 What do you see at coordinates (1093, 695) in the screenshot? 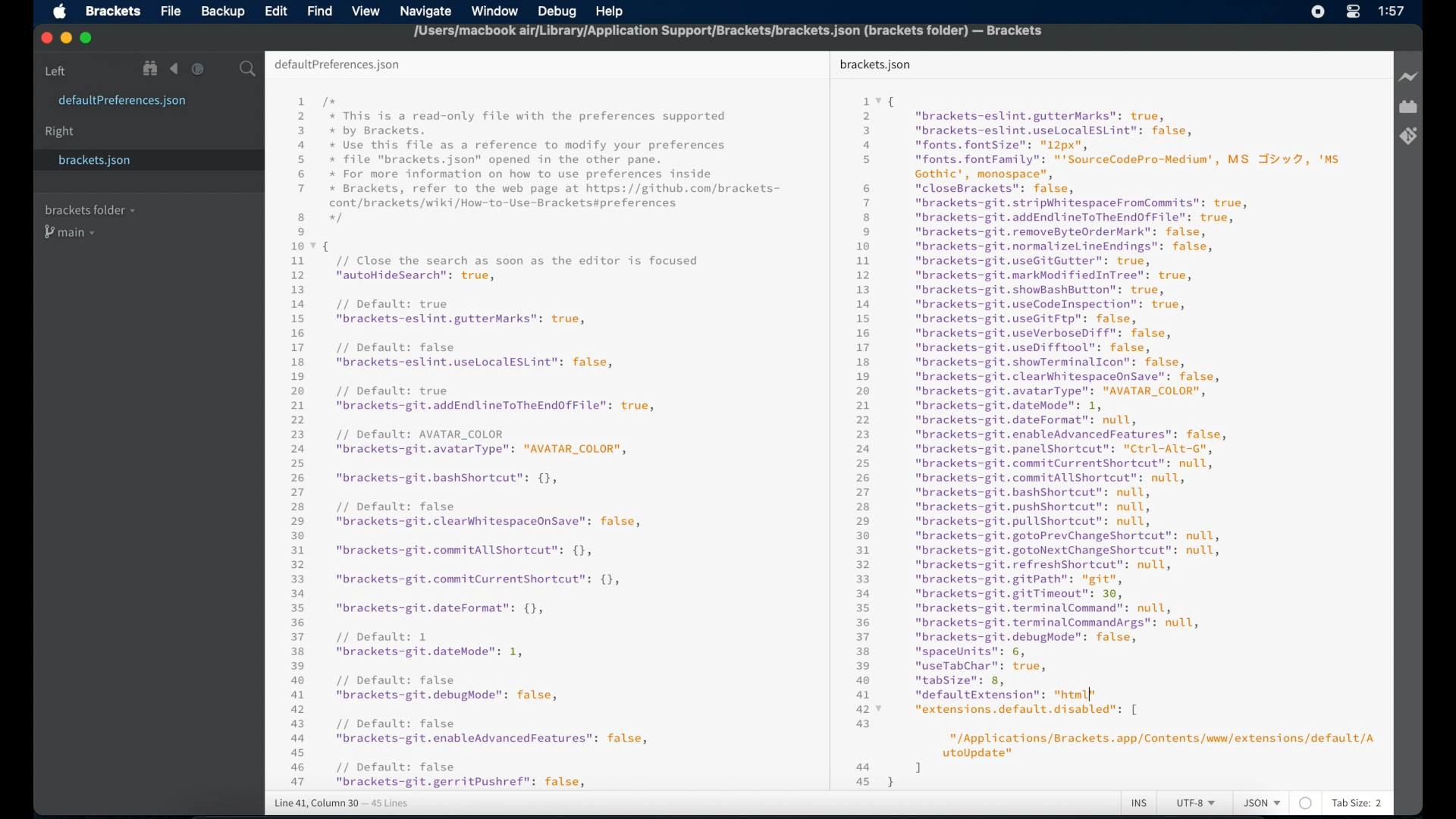
I see `I beam cursor` at bounding box center [1093, 695].